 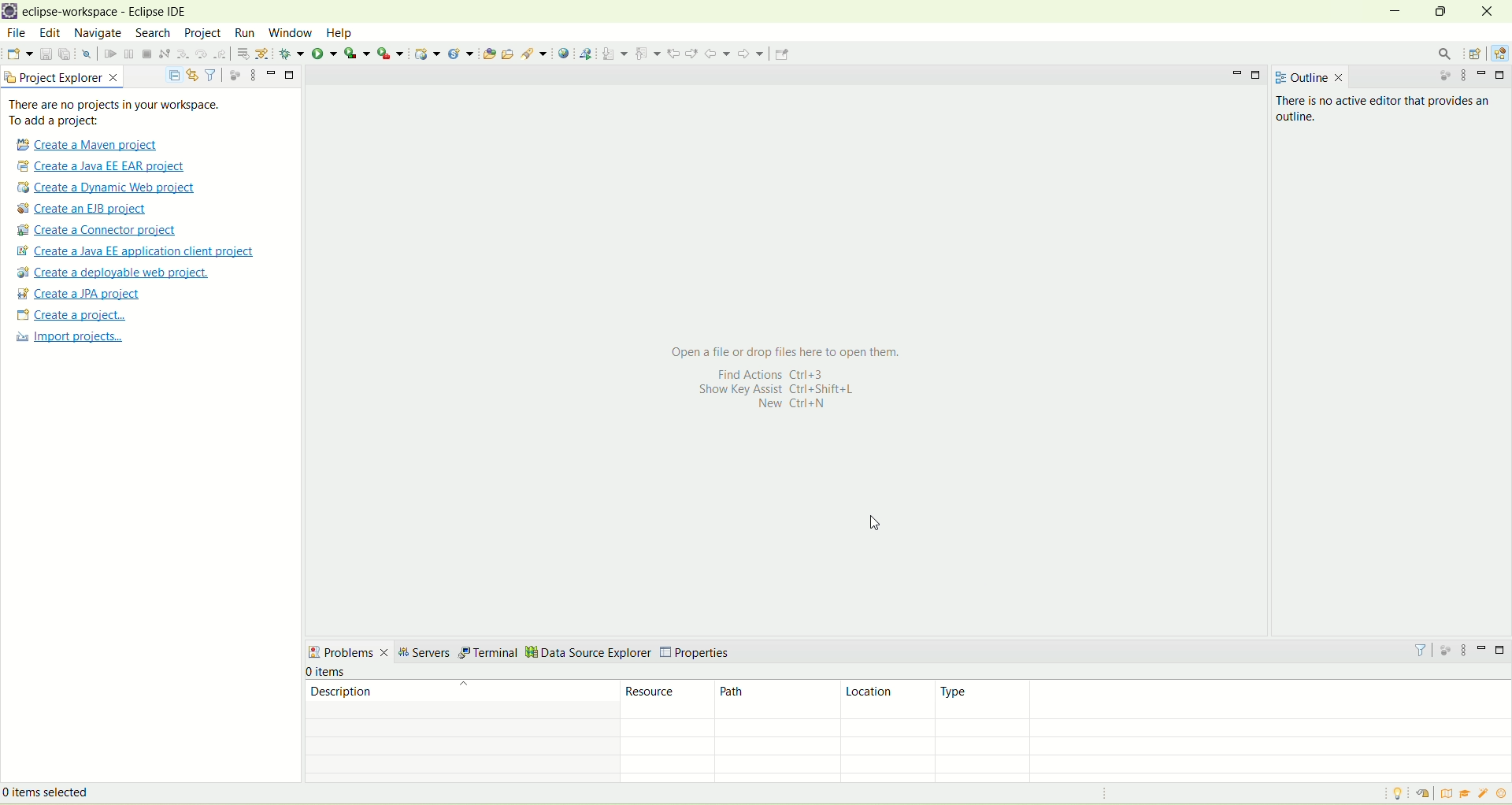 I want to click on There is no active editor that provides an outline., so click(x=1358, y=121).